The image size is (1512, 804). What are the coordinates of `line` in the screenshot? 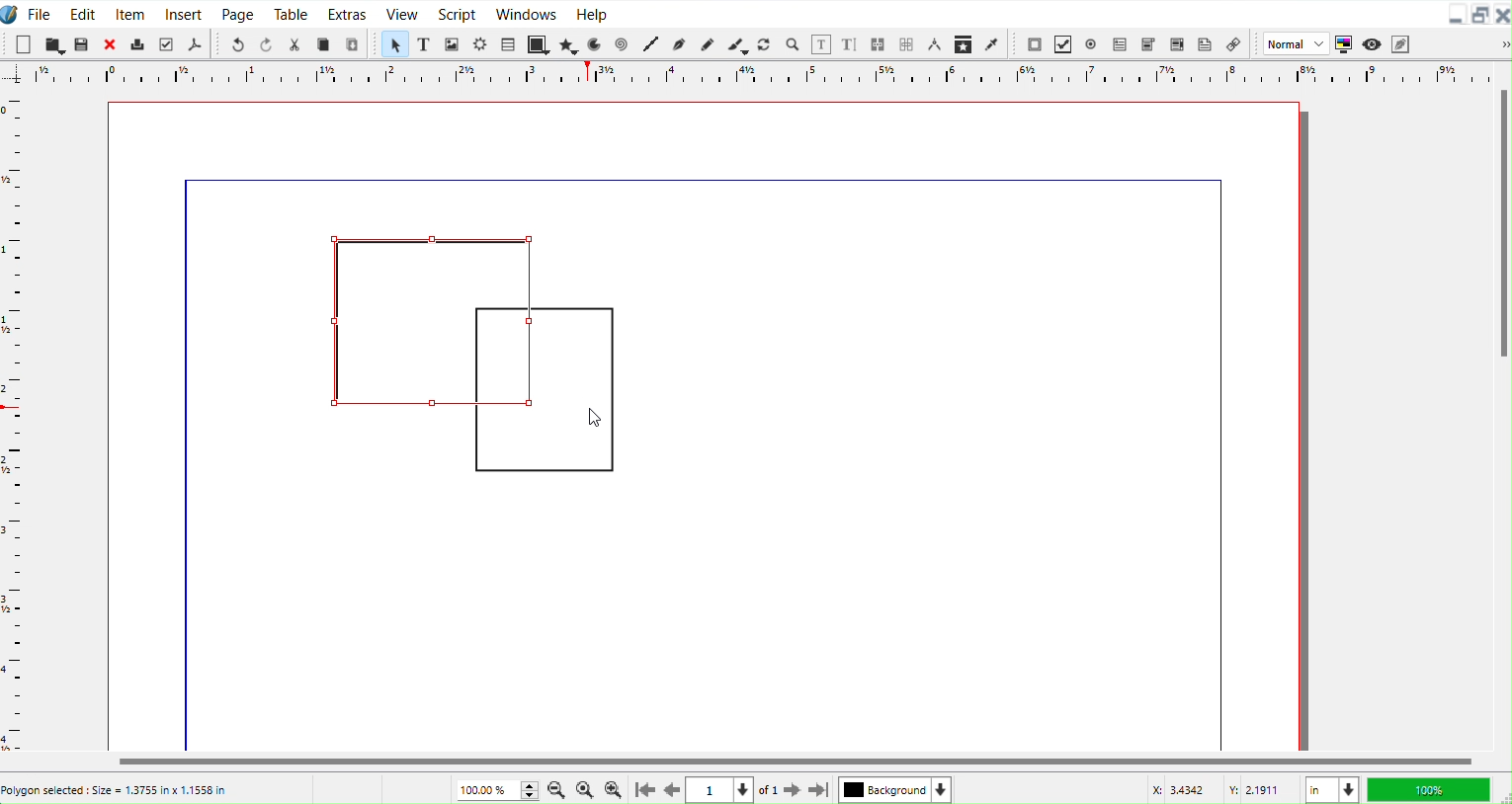 It's located at (1220, 471).